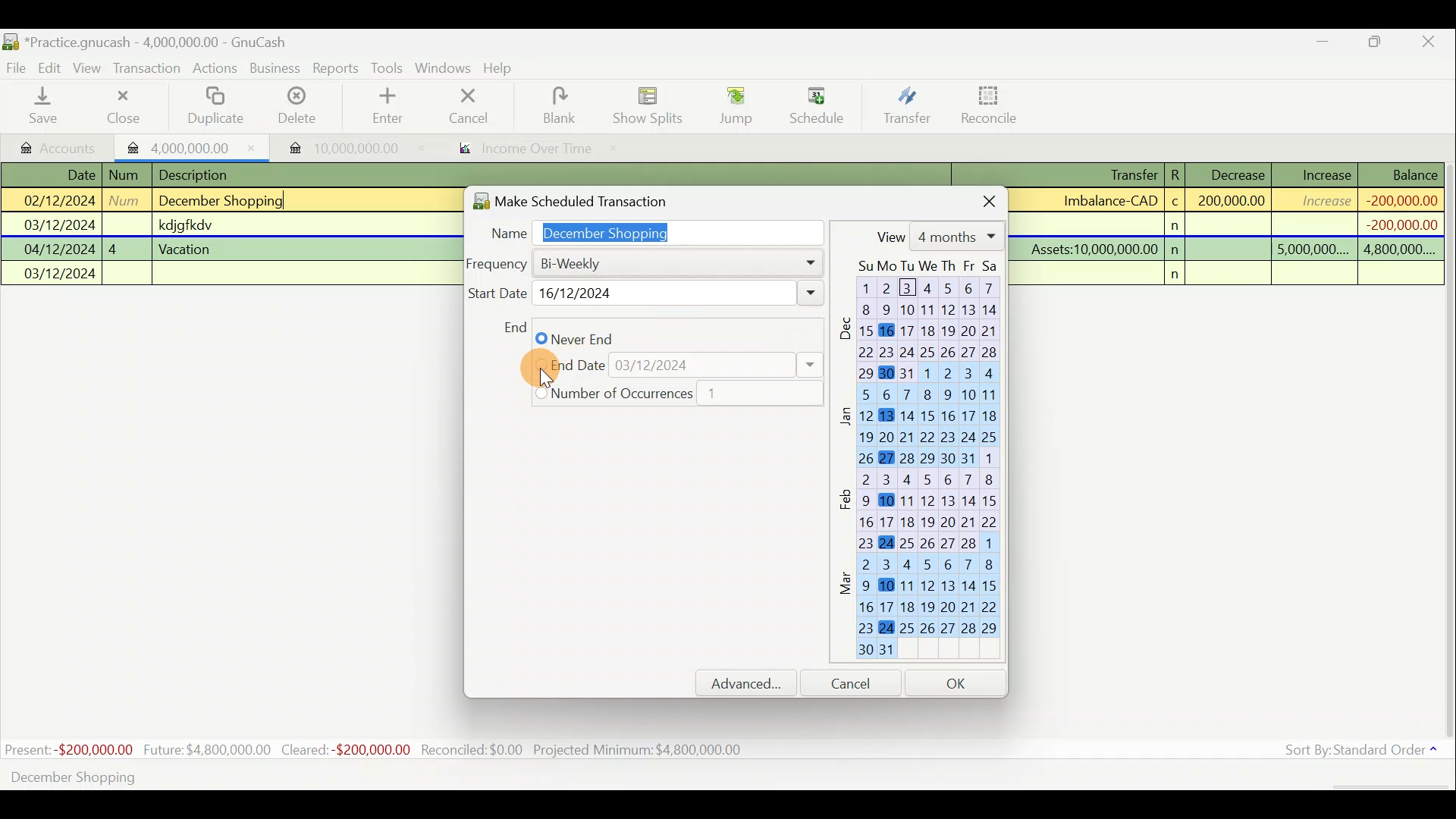 Image resolution: width=1456 pixels, height=819 pixels. Describe the element at coordinates (580, 337) in the screenshot. I see `Monthly` at that location.